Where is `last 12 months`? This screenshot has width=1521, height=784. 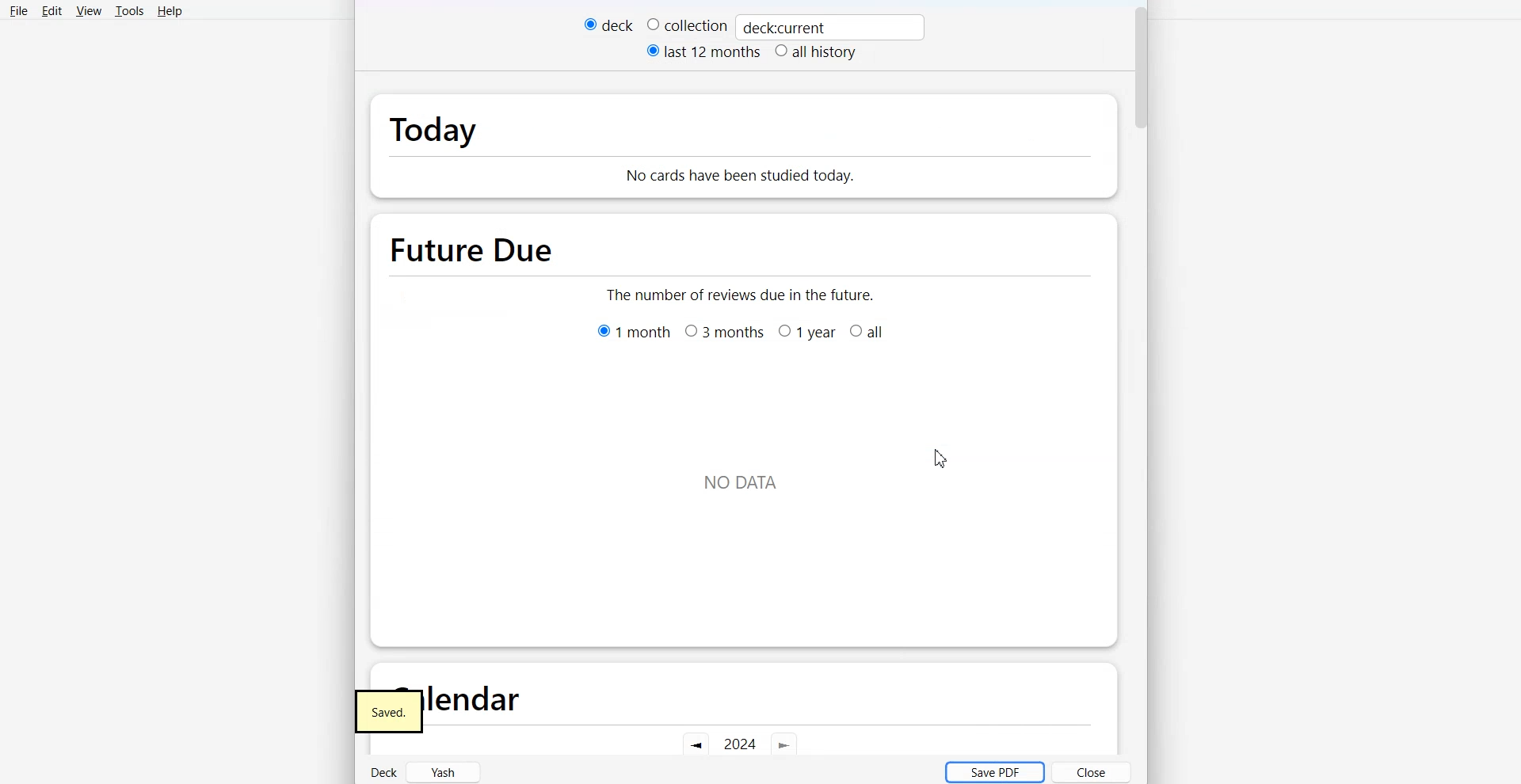 last 12 months is located at coordinates (704, 51).